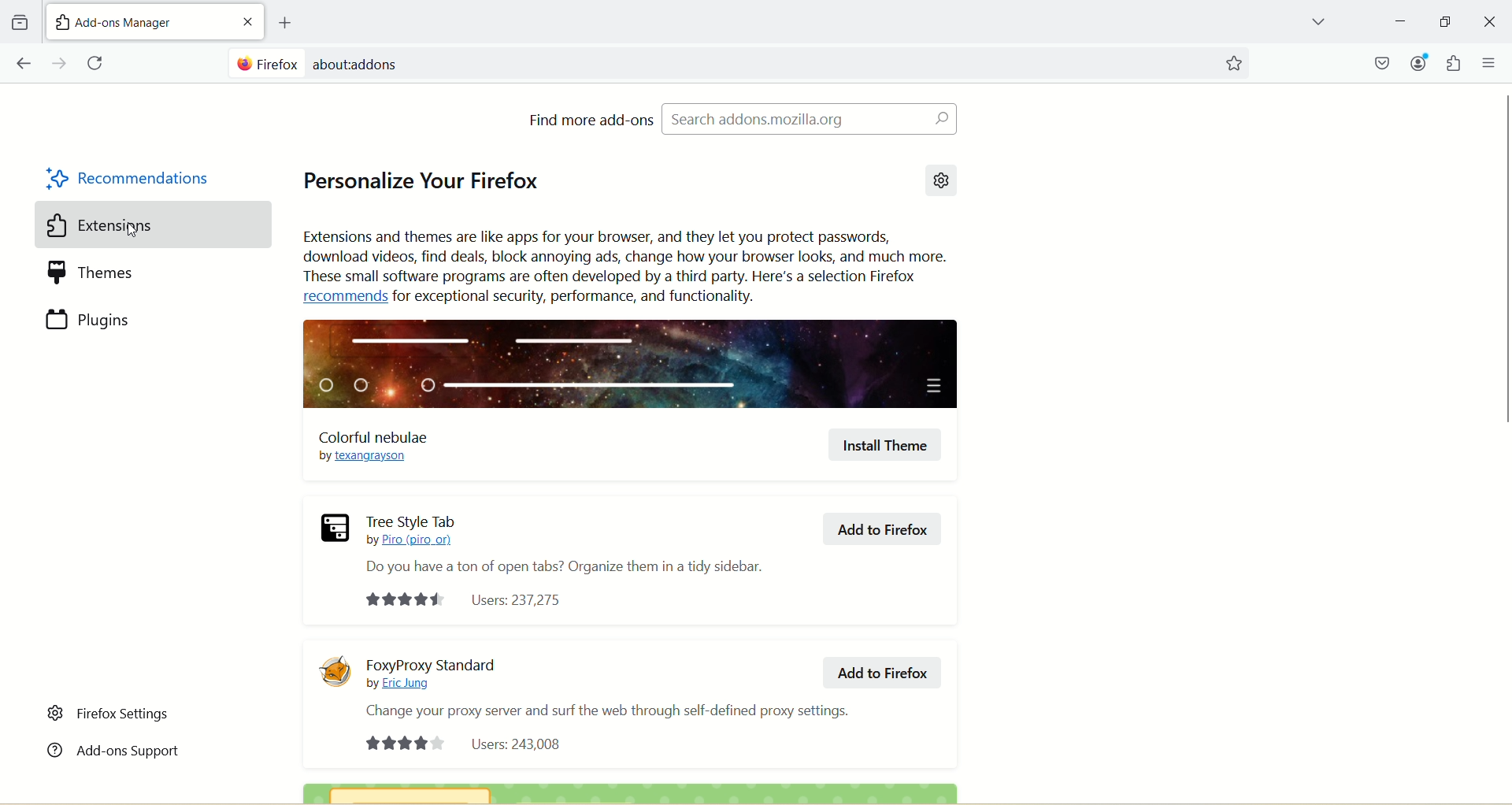 The width and height of the screenshot is (1512, 805). What do you see at coordinates (435, 673) in the screenshot?
I see `FoxyProxy Standard
by Eric Jung` at bounding box center [435, 673].